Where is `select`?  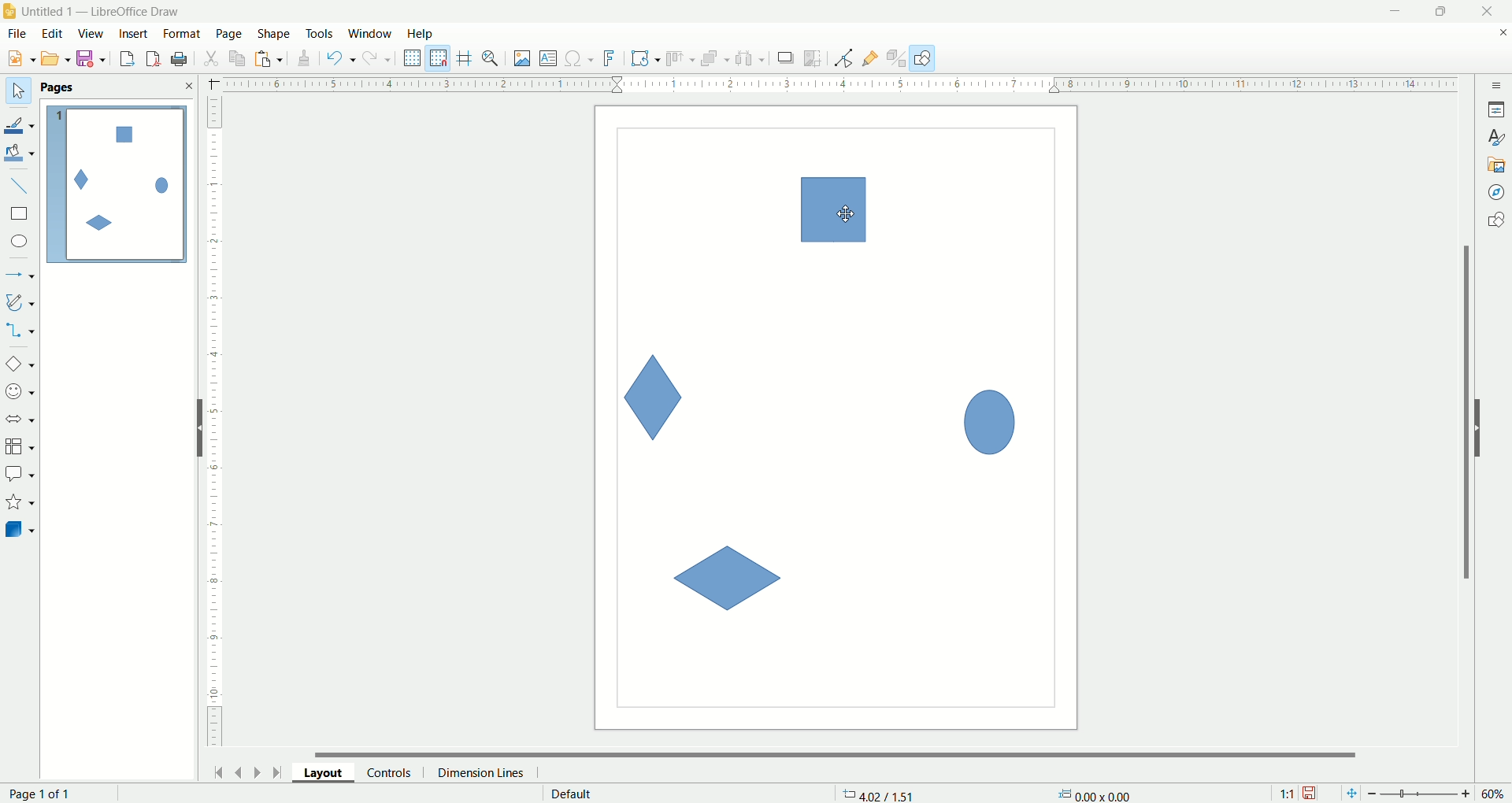
select is located at coordinates (18, 91).